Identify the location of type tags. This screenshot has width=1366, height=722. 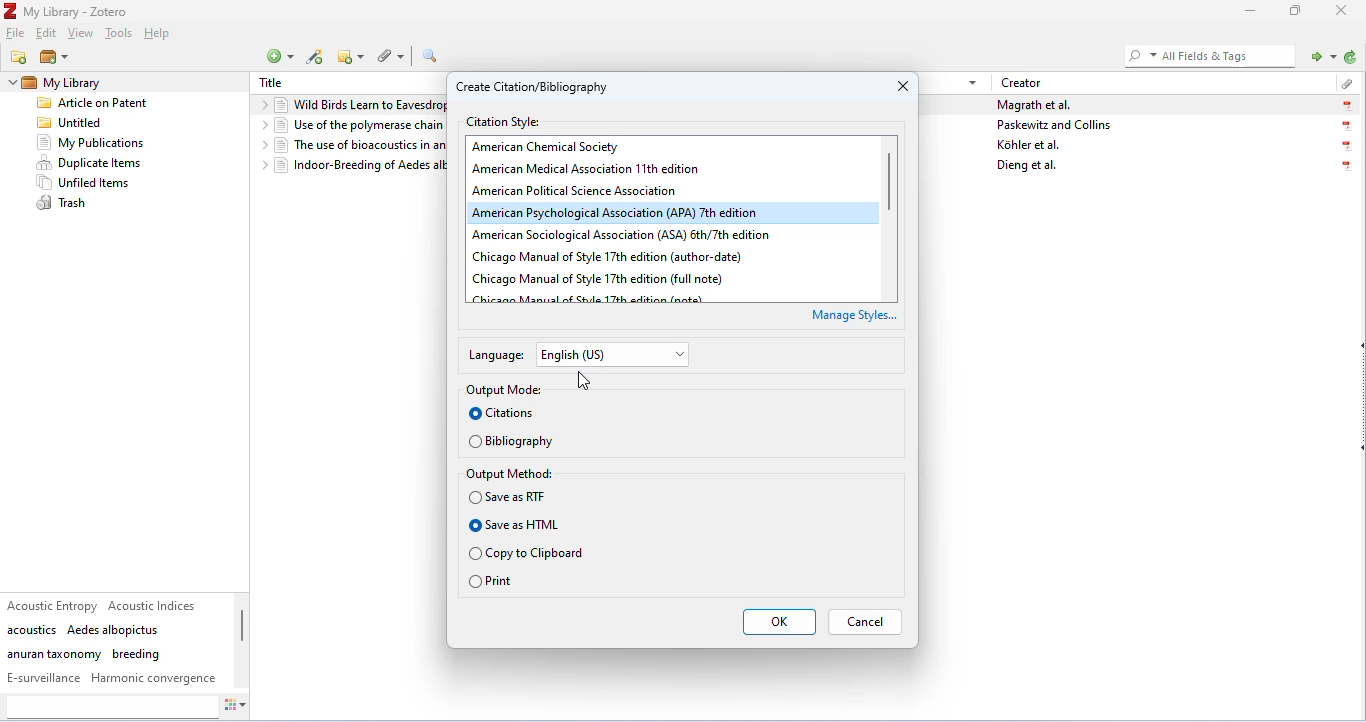
(111, 707).